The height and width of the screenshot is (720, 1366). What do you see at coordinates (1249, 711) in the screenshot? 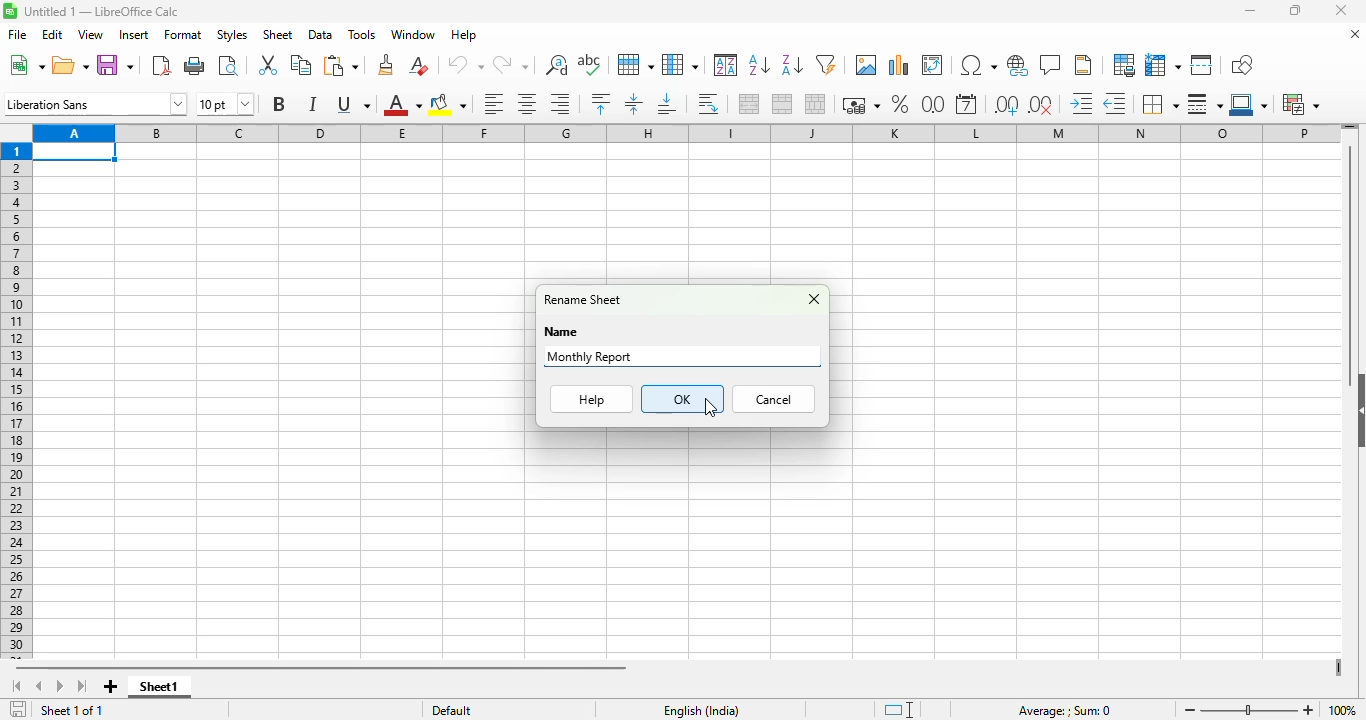
I see `Zoom slider` at bounding box center [1249, 711].